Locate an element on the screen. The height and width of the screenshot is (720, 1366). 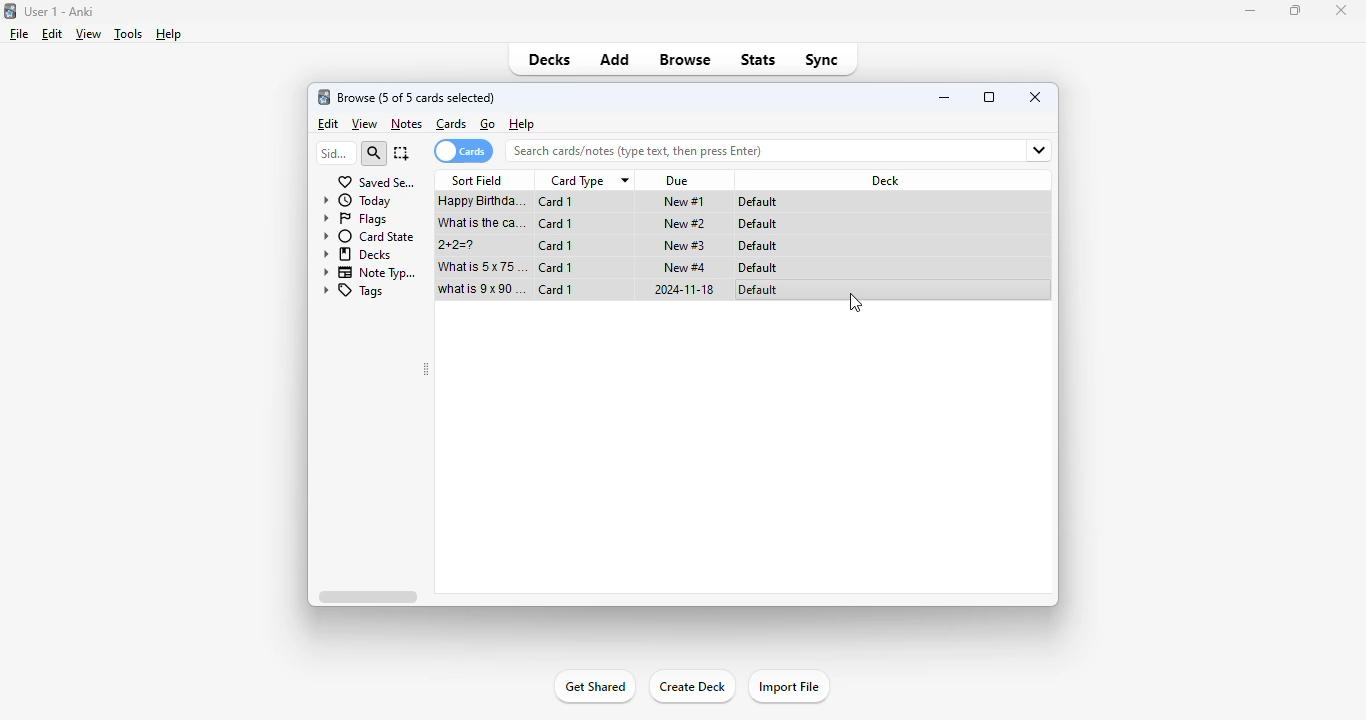
view is located at coordinates (89, 34).